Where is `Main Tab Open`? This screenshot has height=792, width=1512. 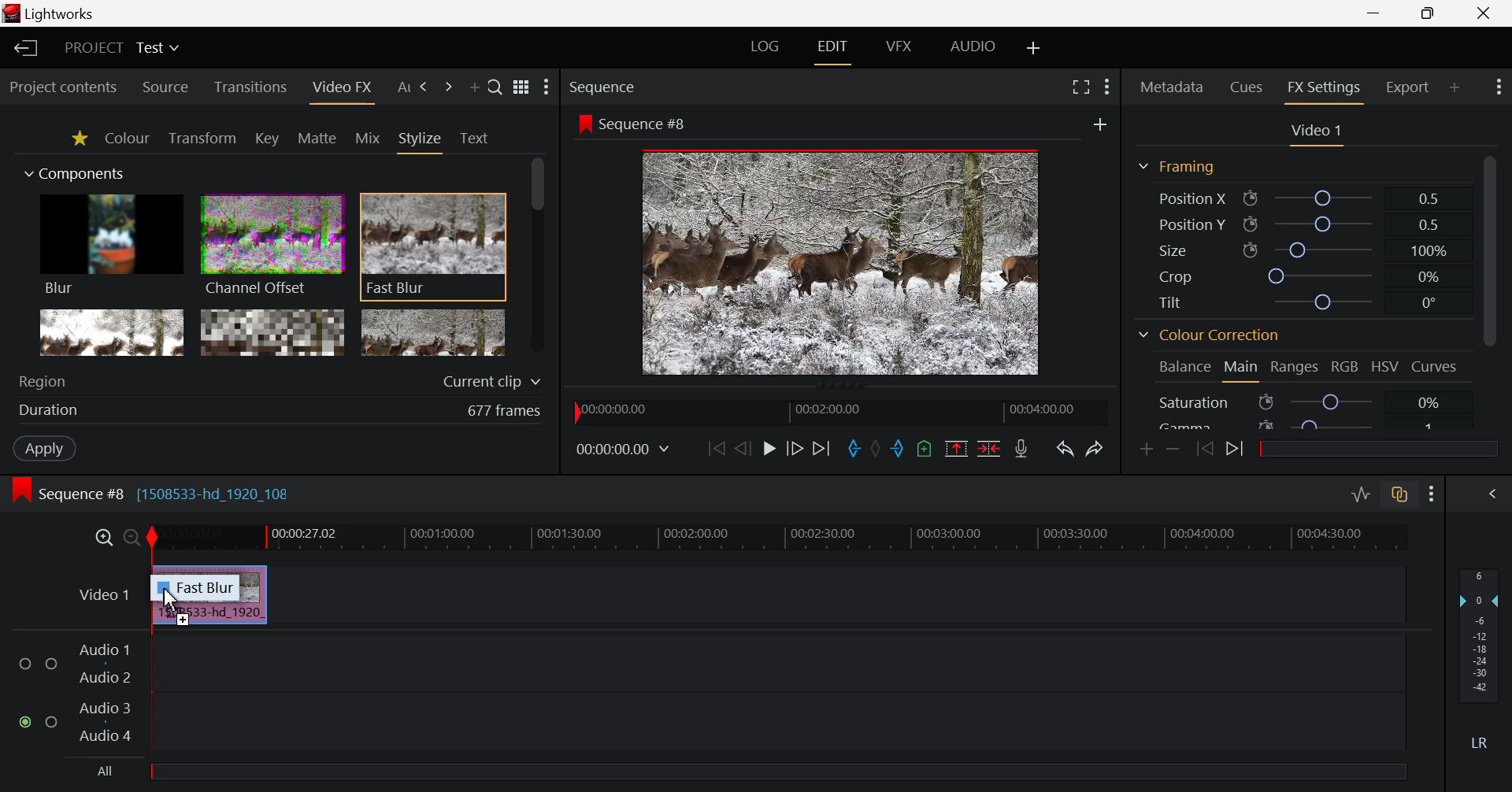
Main Tab Open is located at coordinates (1240, 371).